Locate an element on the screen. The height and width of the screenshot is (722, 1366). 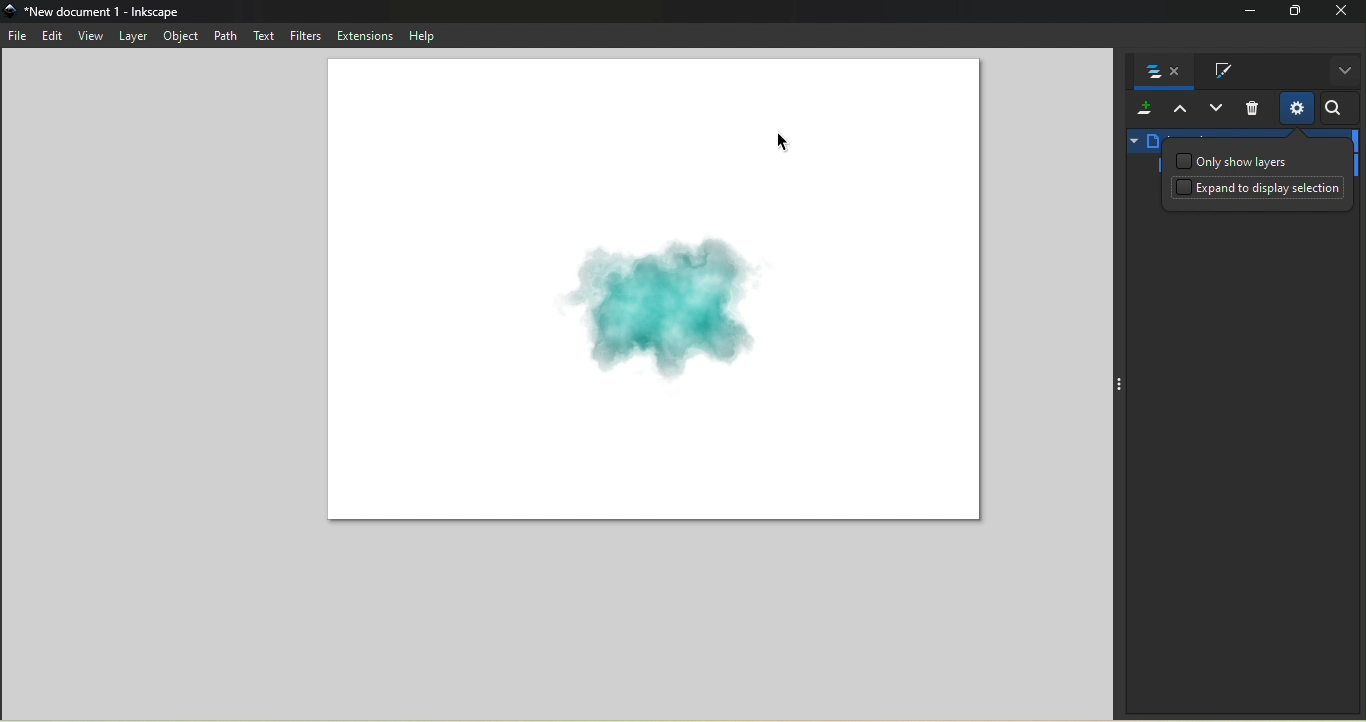
Layer and objects is located at coordinates (1160, 72).